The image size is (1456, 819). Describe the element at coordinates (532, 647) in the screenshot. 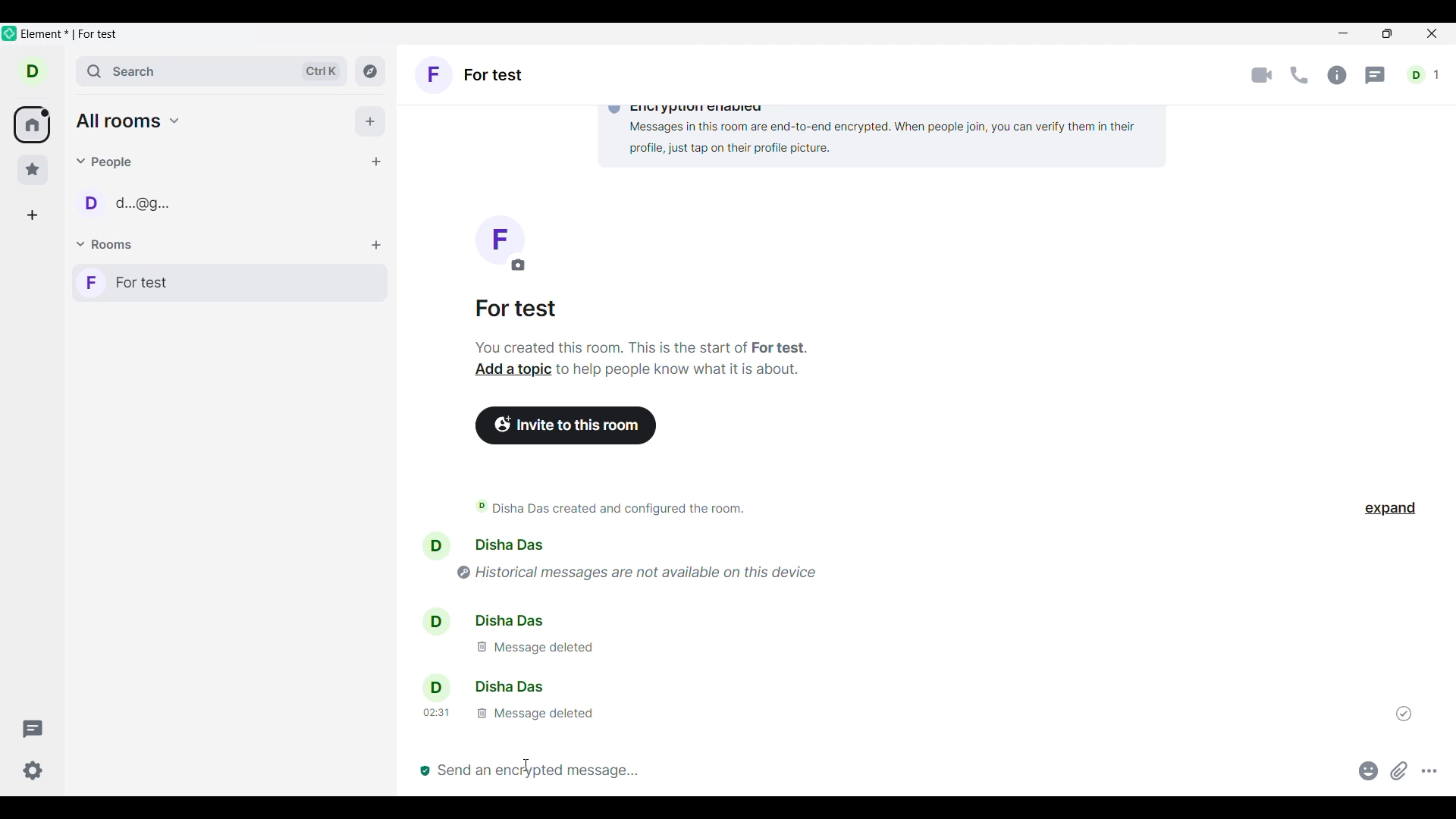

I see `message deleted` at that location.